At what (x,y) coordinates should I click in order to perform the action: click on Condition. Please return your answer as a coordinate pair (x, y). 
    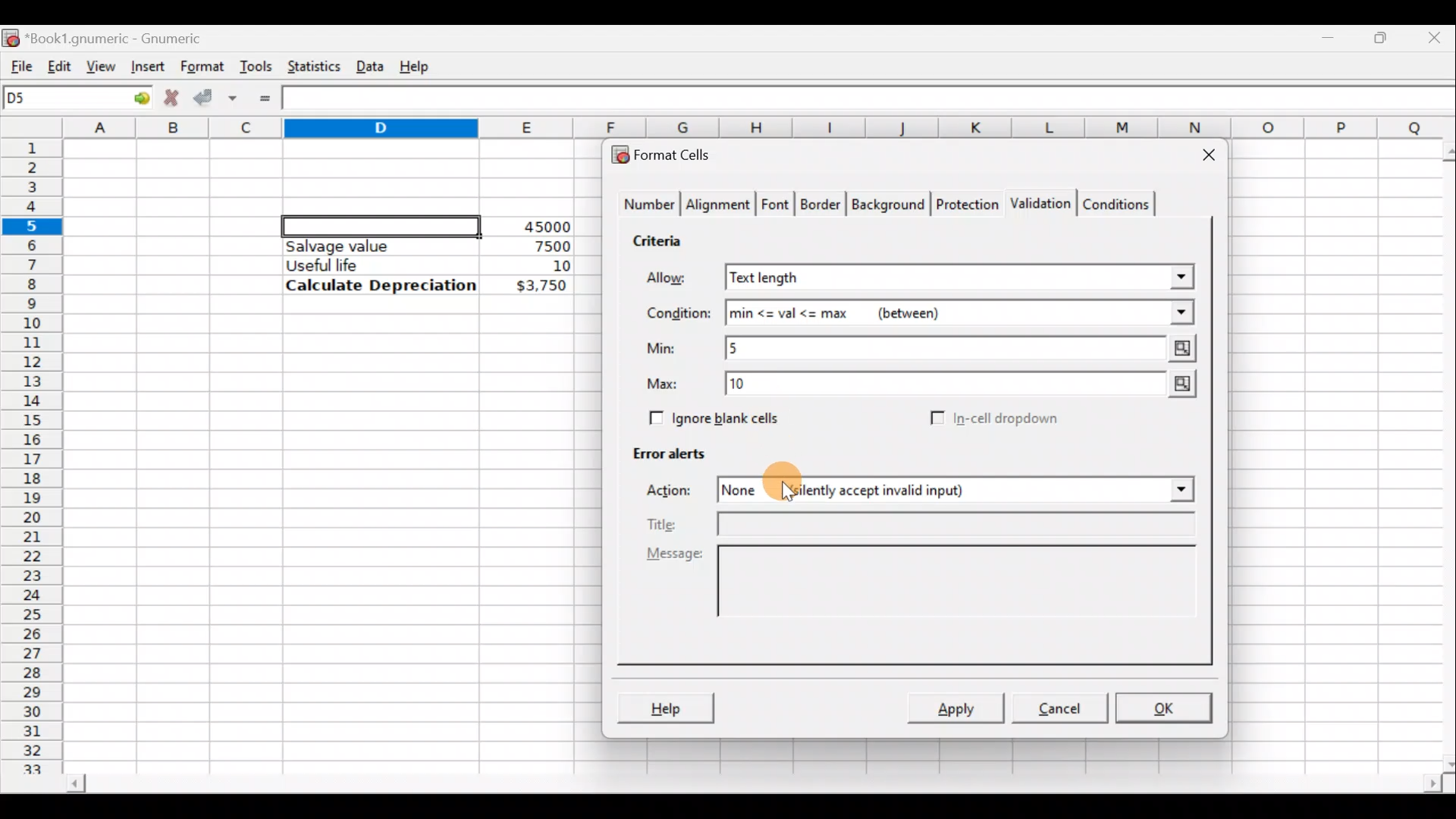
    Looking at the image, I should click on (678, 314).